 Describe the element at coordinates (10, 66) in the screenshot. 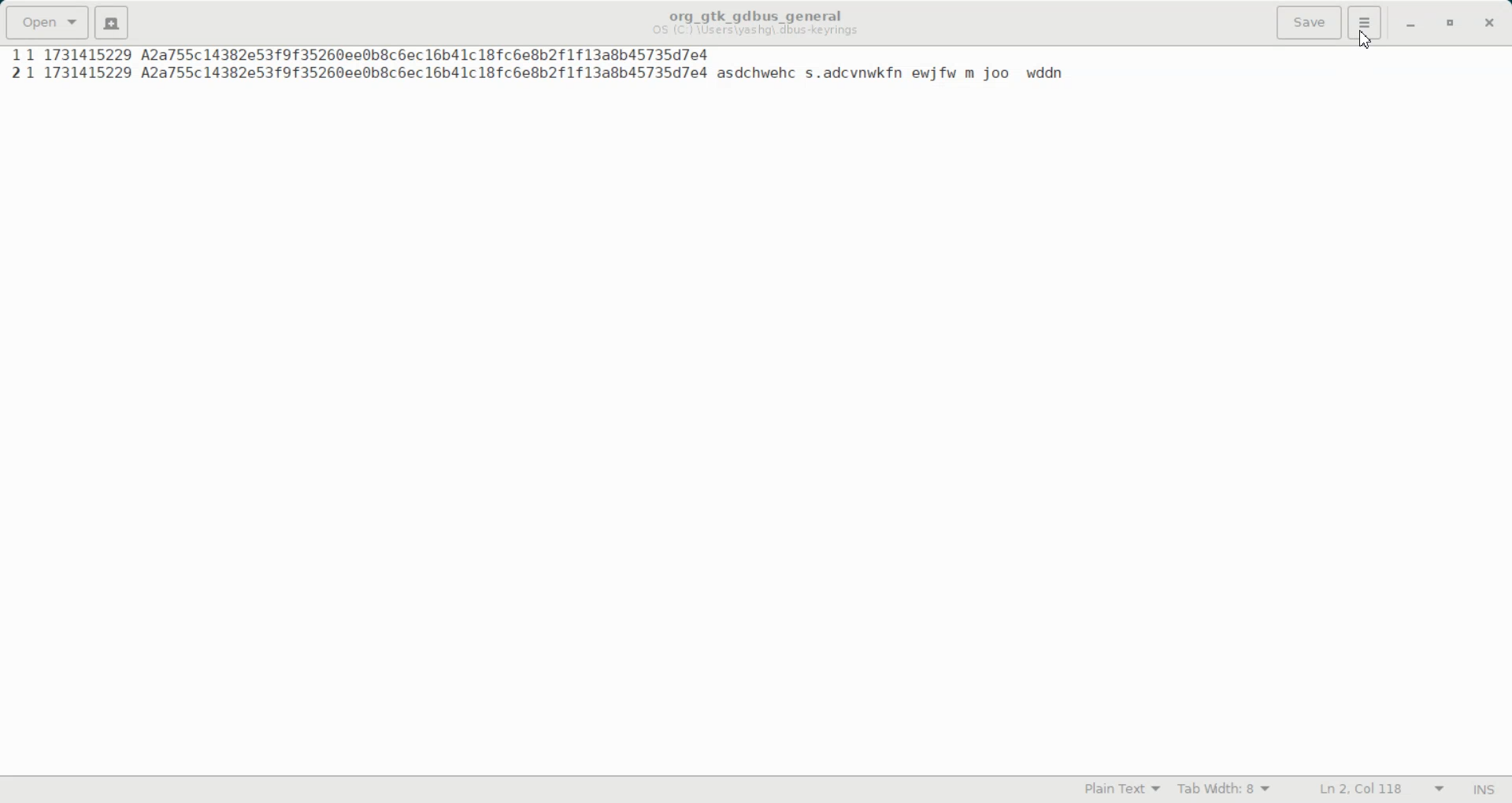

I see `Text line number` at that location.